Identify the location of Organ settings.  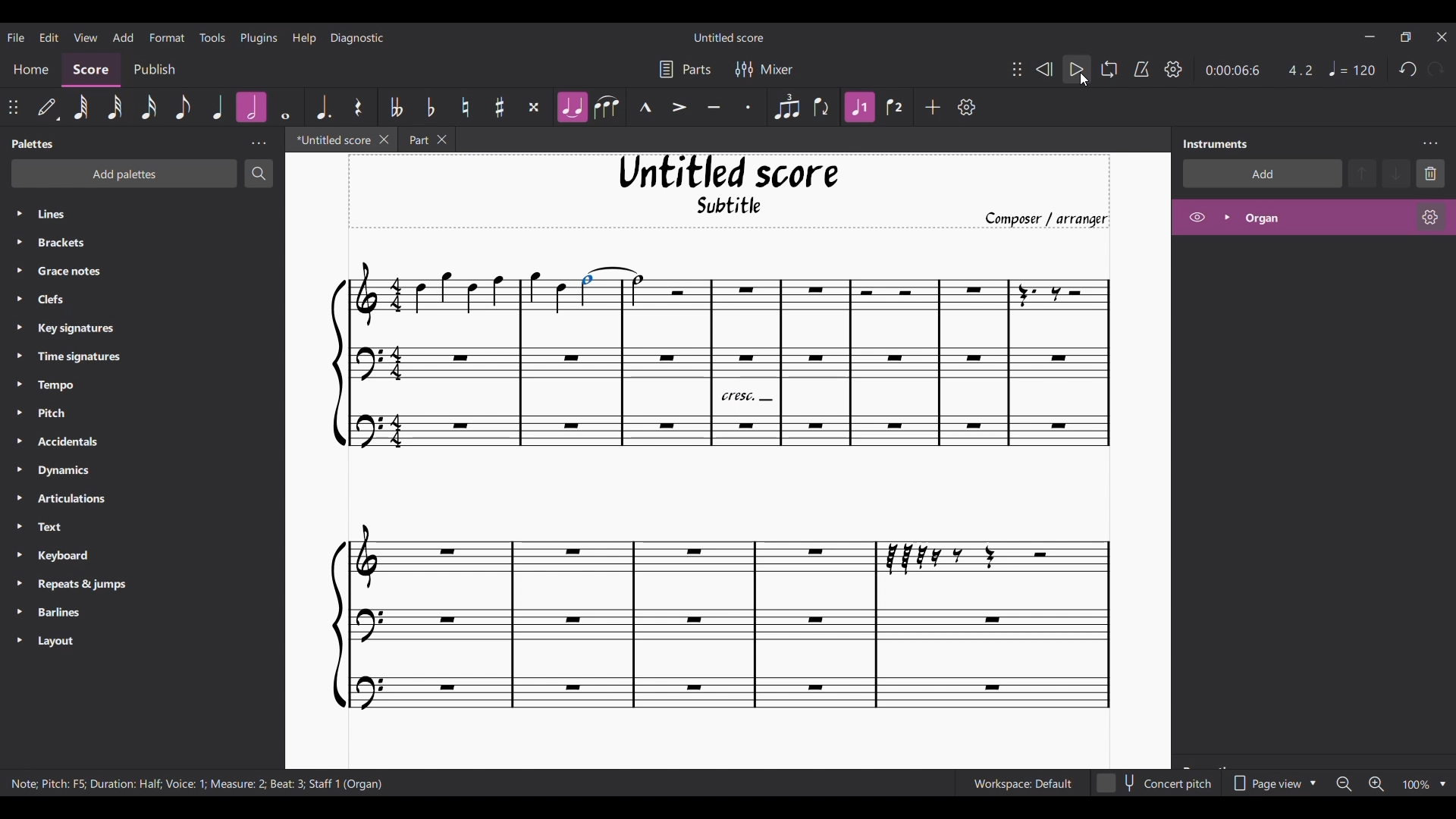
(1431, 217).